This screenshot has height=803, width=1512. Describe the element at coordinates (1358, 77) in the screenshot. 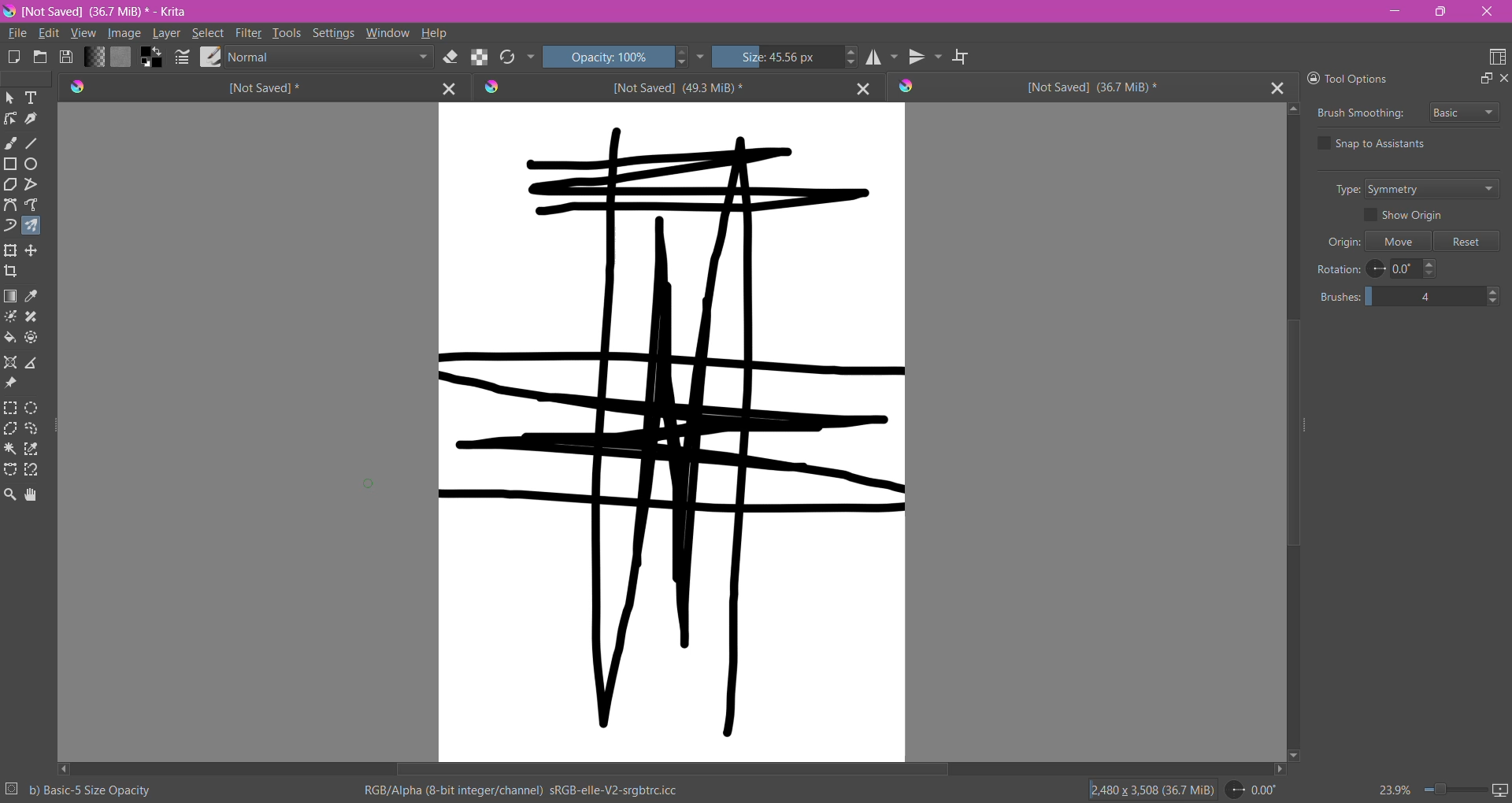

I see `Tool Options` at that location.